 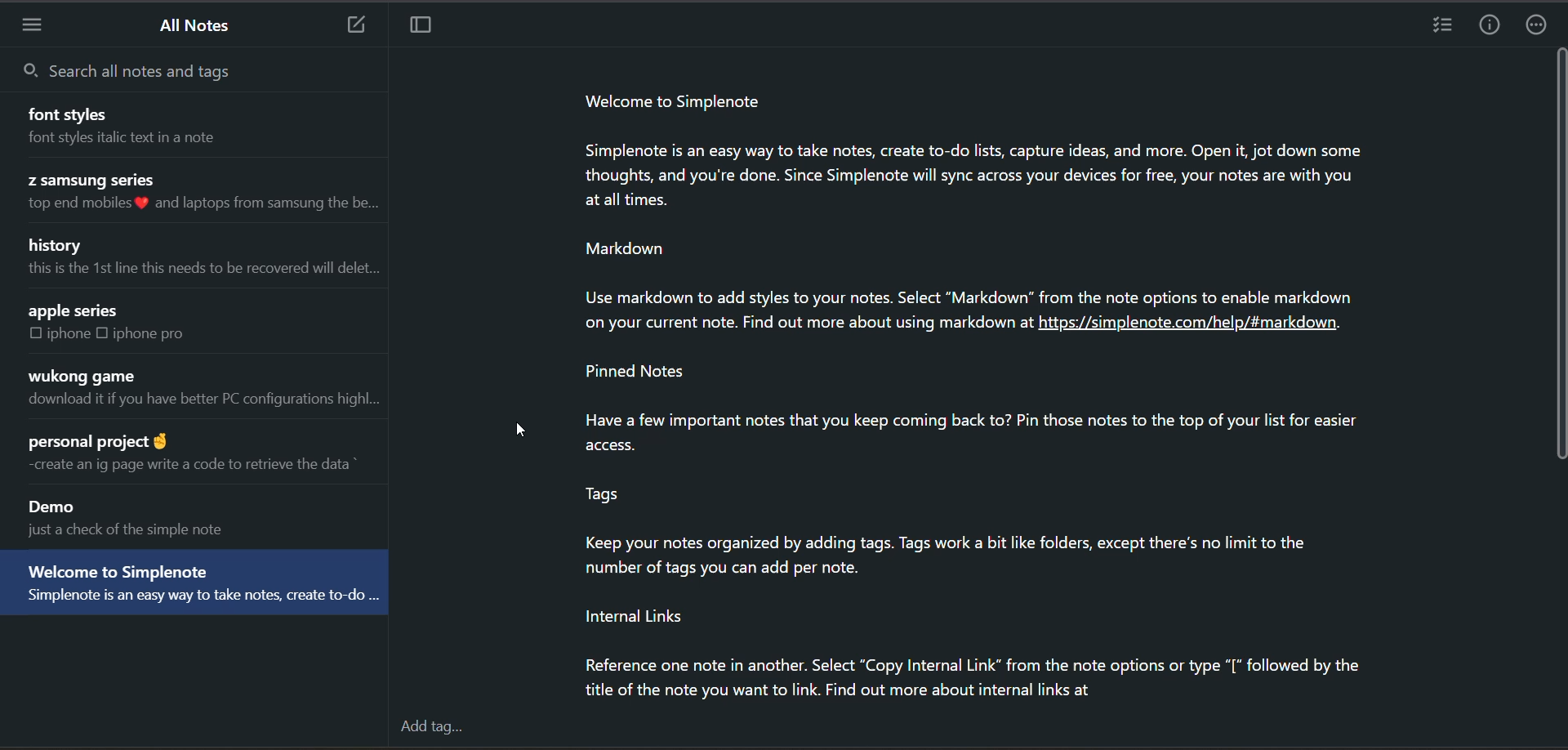 I want to click on iphone pro, so click(x=166, y=333).